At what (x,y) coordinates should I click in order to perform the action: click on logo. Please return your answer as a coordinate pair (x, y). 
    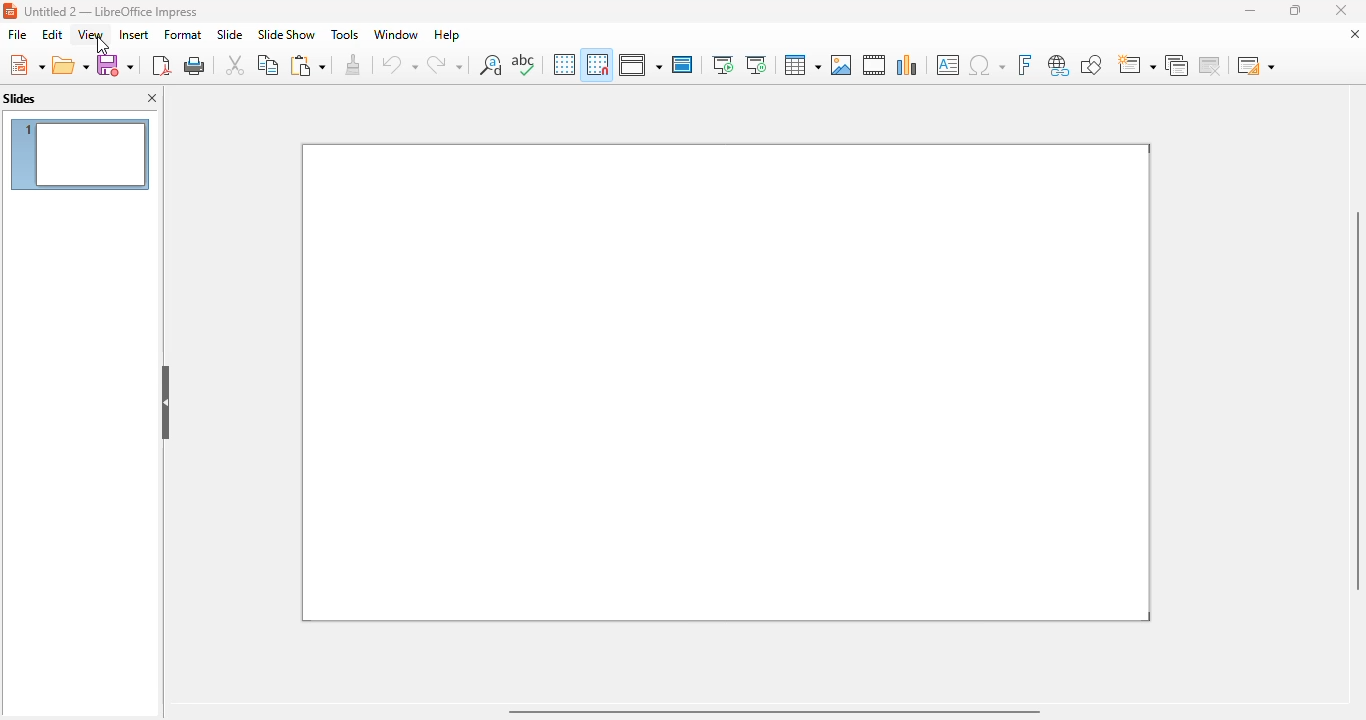
    Looking at the image, I should click on (10, 11).